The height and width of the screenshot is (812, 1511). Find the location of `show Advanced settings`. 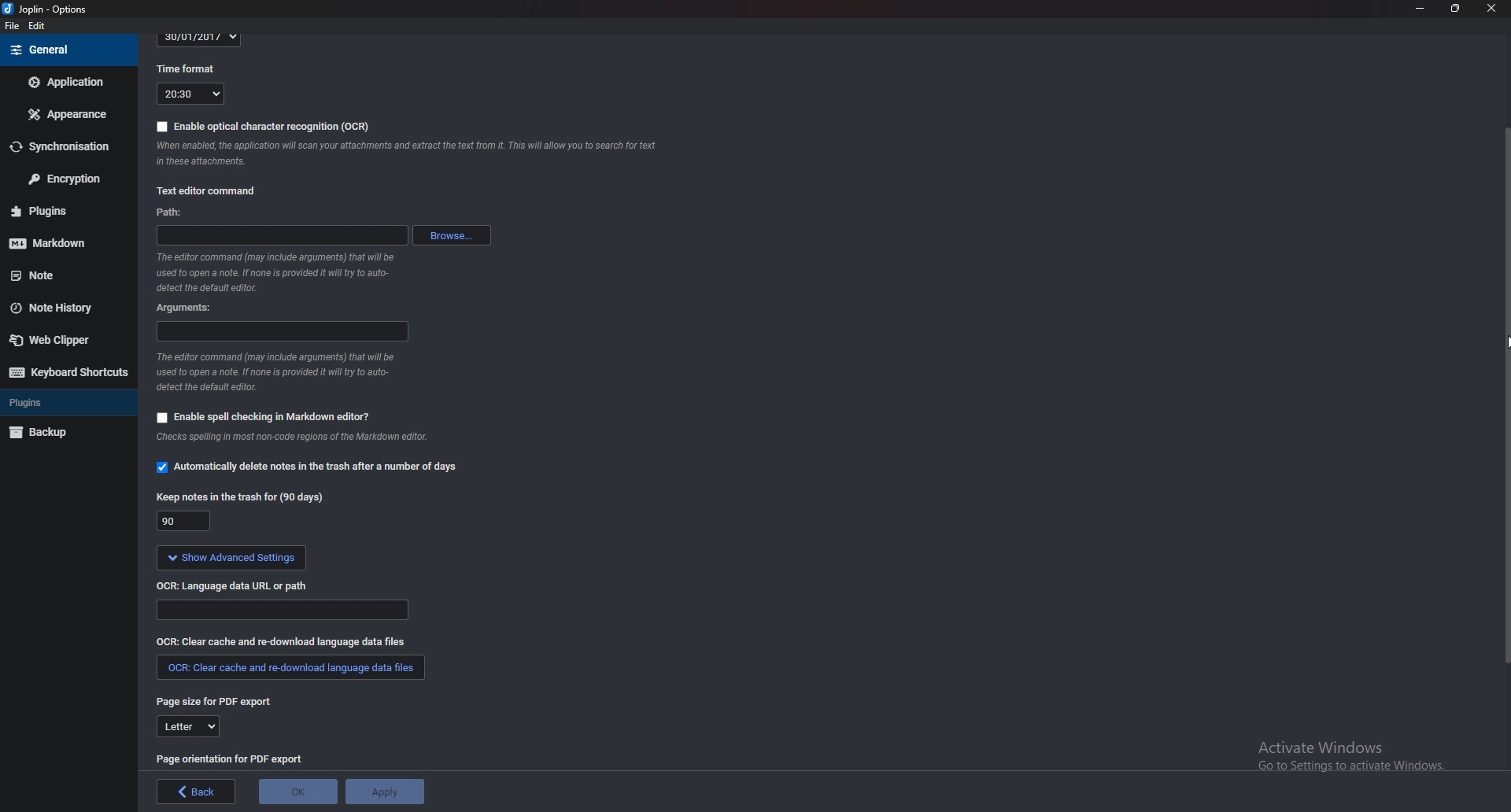

show Advanced settings is located at coordinates (231, 558).